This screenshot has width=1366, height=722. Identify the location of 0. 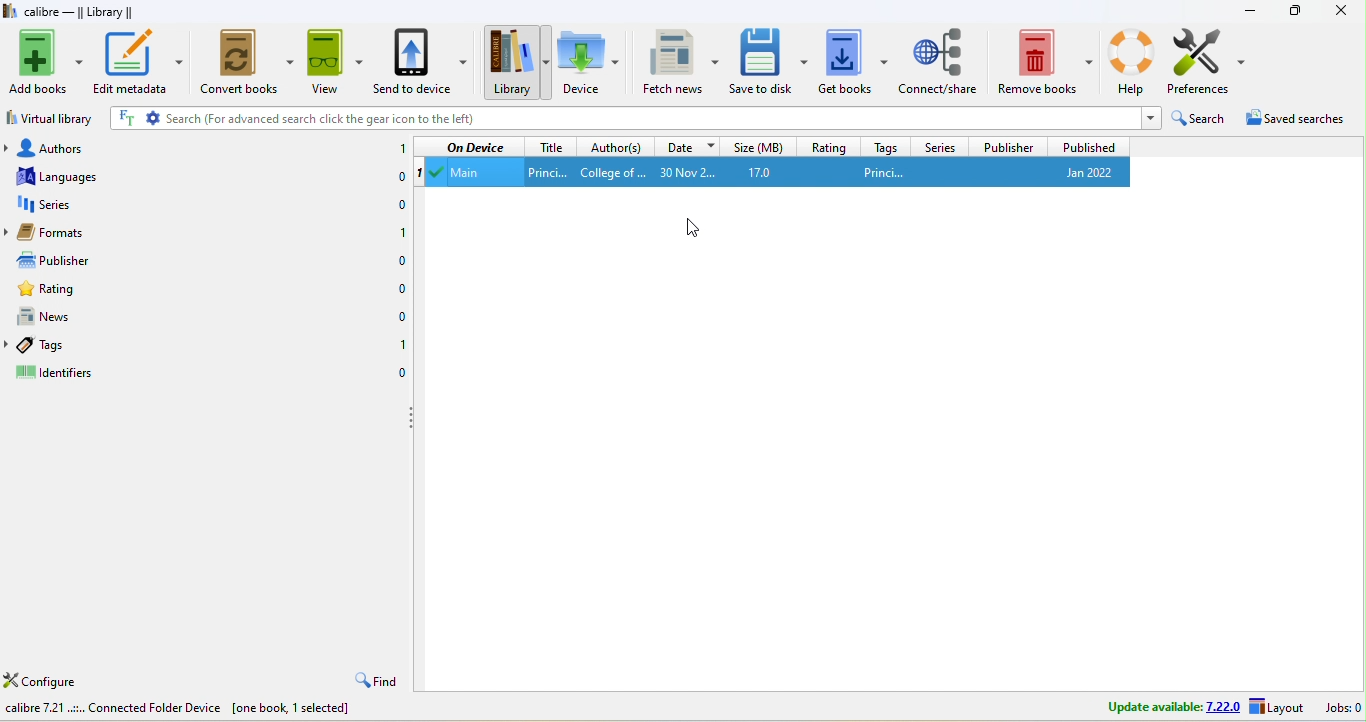
(395, 206).